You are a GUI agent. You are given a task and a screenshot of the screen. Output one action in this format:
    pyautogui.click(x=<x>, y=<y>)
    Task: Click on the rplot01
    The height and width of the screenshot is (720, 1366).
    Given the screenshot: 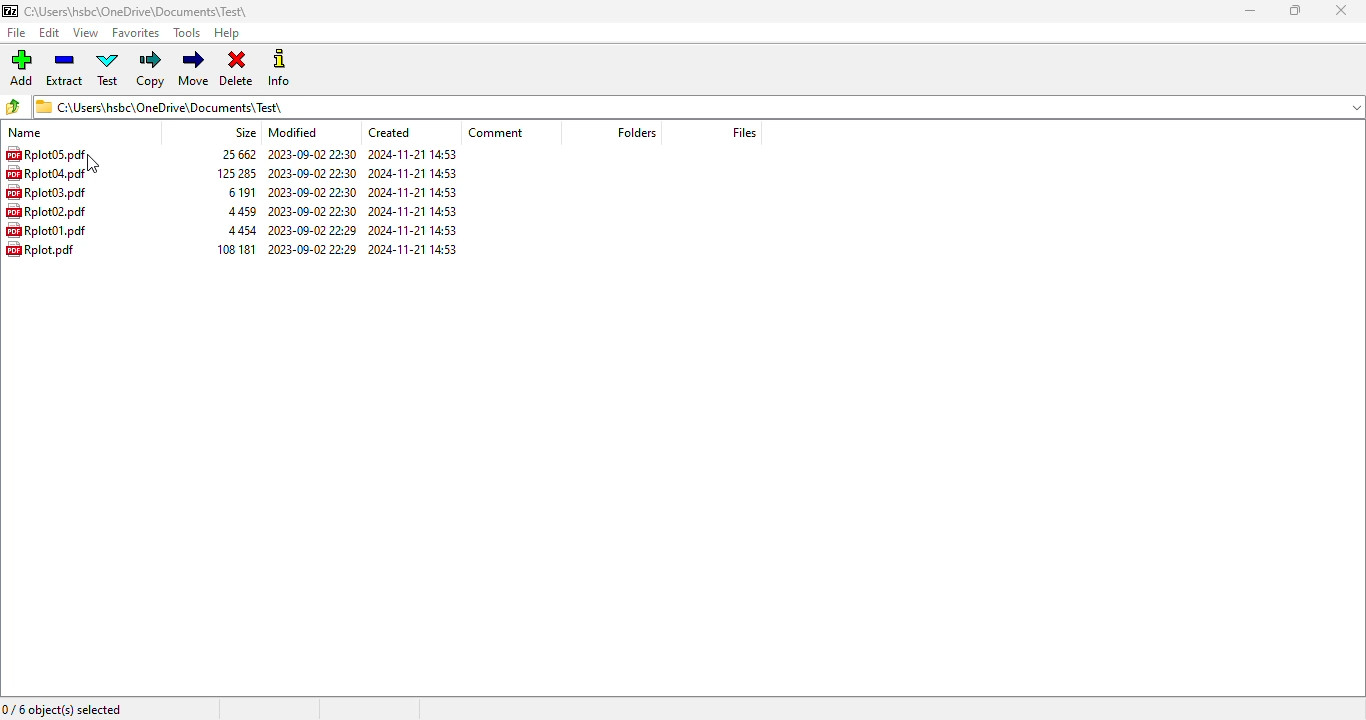 What is the action you would take?
    pyautogui.click(x=47, y=230)
    